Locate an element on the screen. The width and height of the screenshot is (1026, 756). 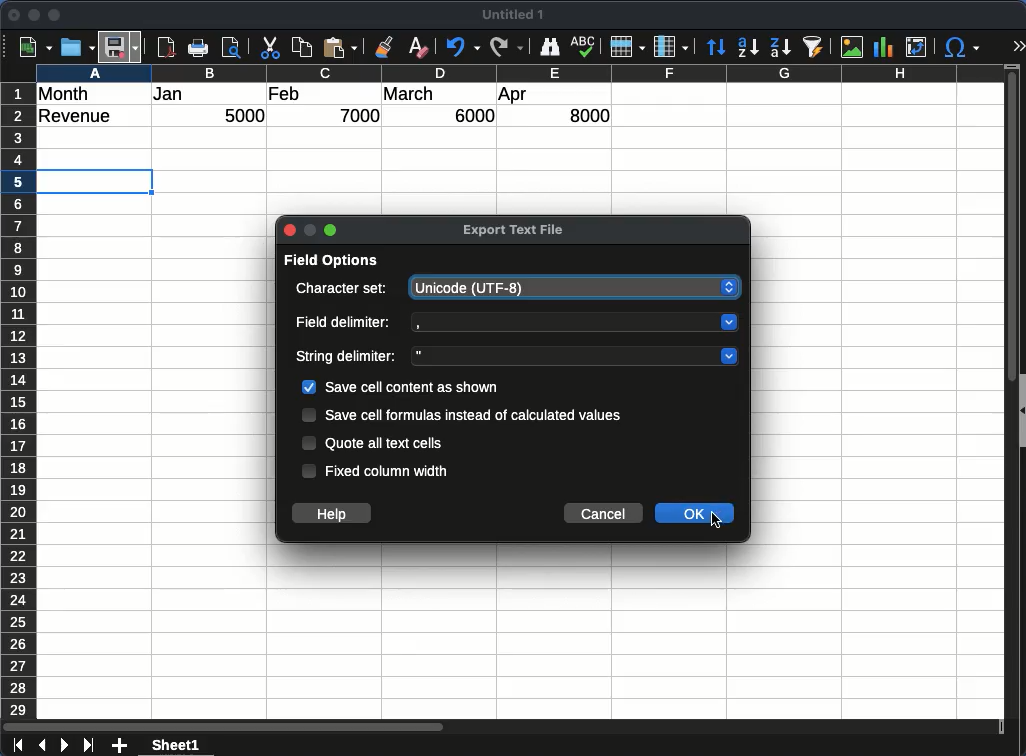
ascending is located at coordinates (748, 47).